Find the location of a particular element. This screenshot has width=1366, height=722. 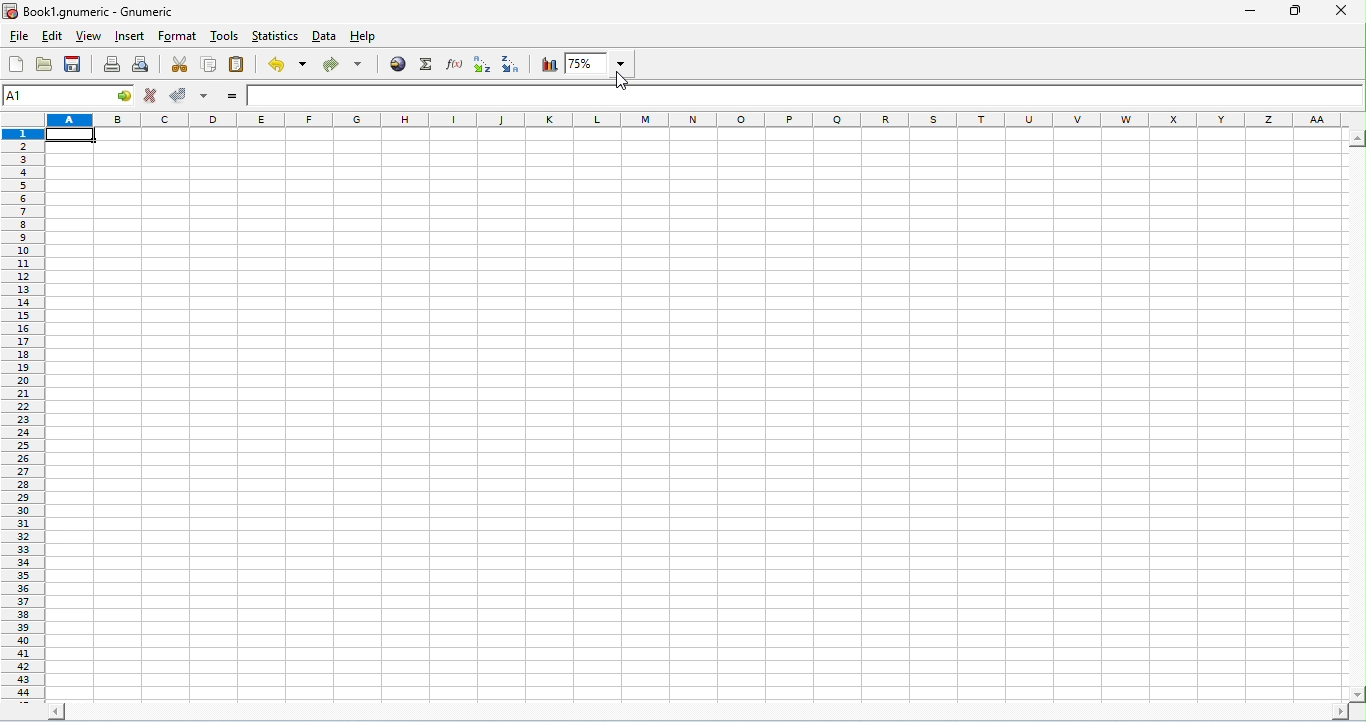

maximize is located at coordinates (1292, 11).